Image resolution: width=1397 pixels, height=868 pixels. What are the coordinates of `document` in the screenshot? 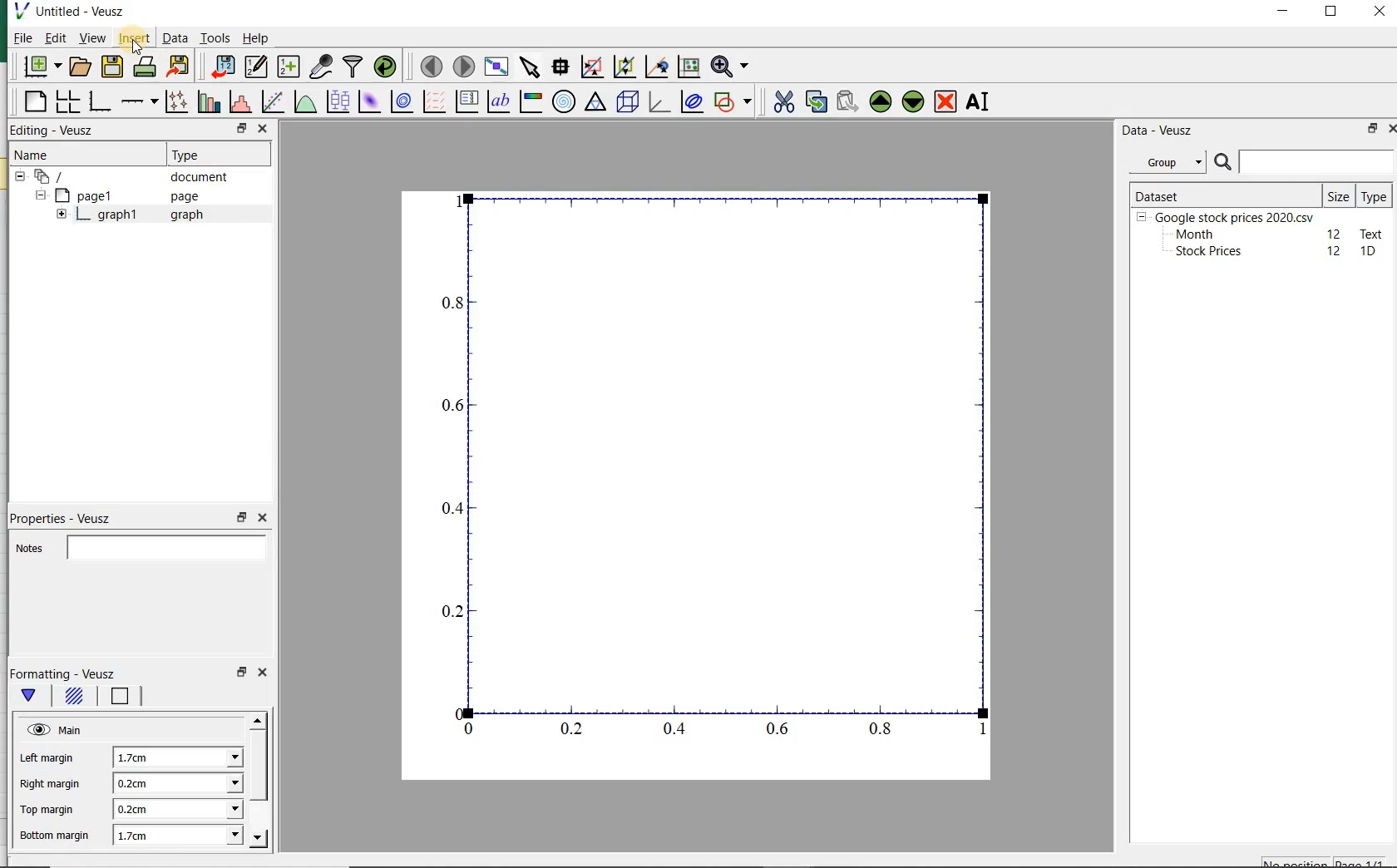 It's located at (129, 177).